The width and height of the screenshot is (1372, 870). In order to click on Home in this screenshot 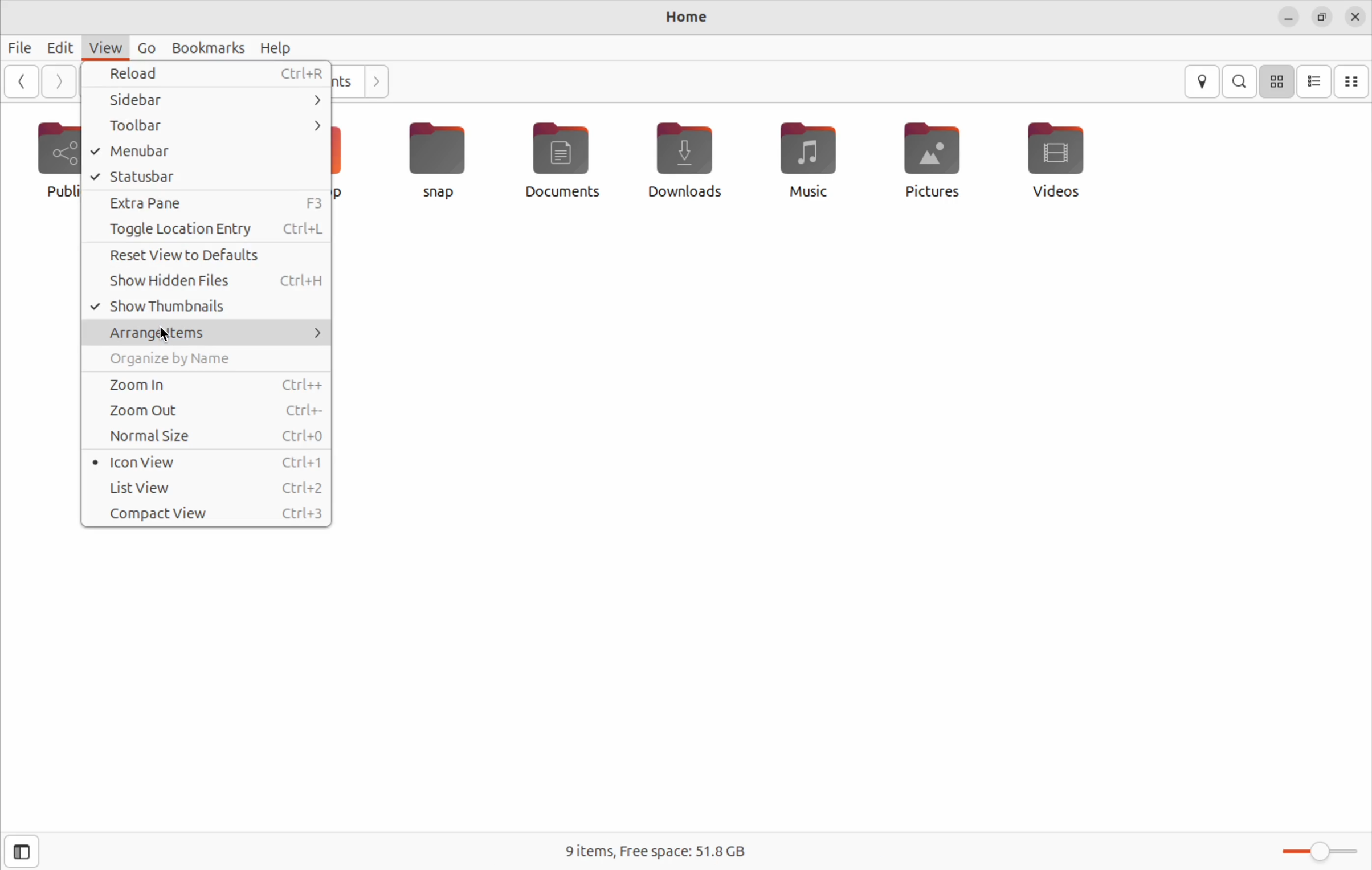, I will do `click(687, 19)`.